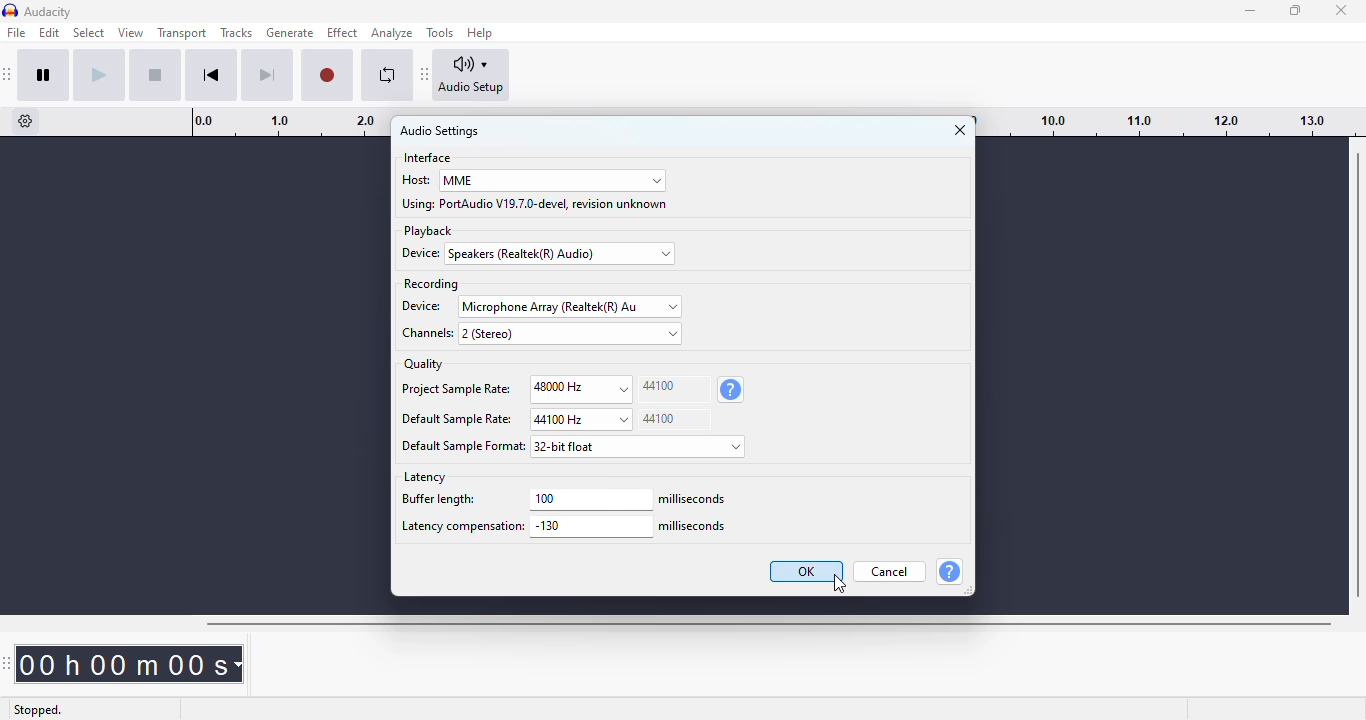 The width and height of the screenshot is (1366, 720). I want to click on minimize, so click(1251, 11).